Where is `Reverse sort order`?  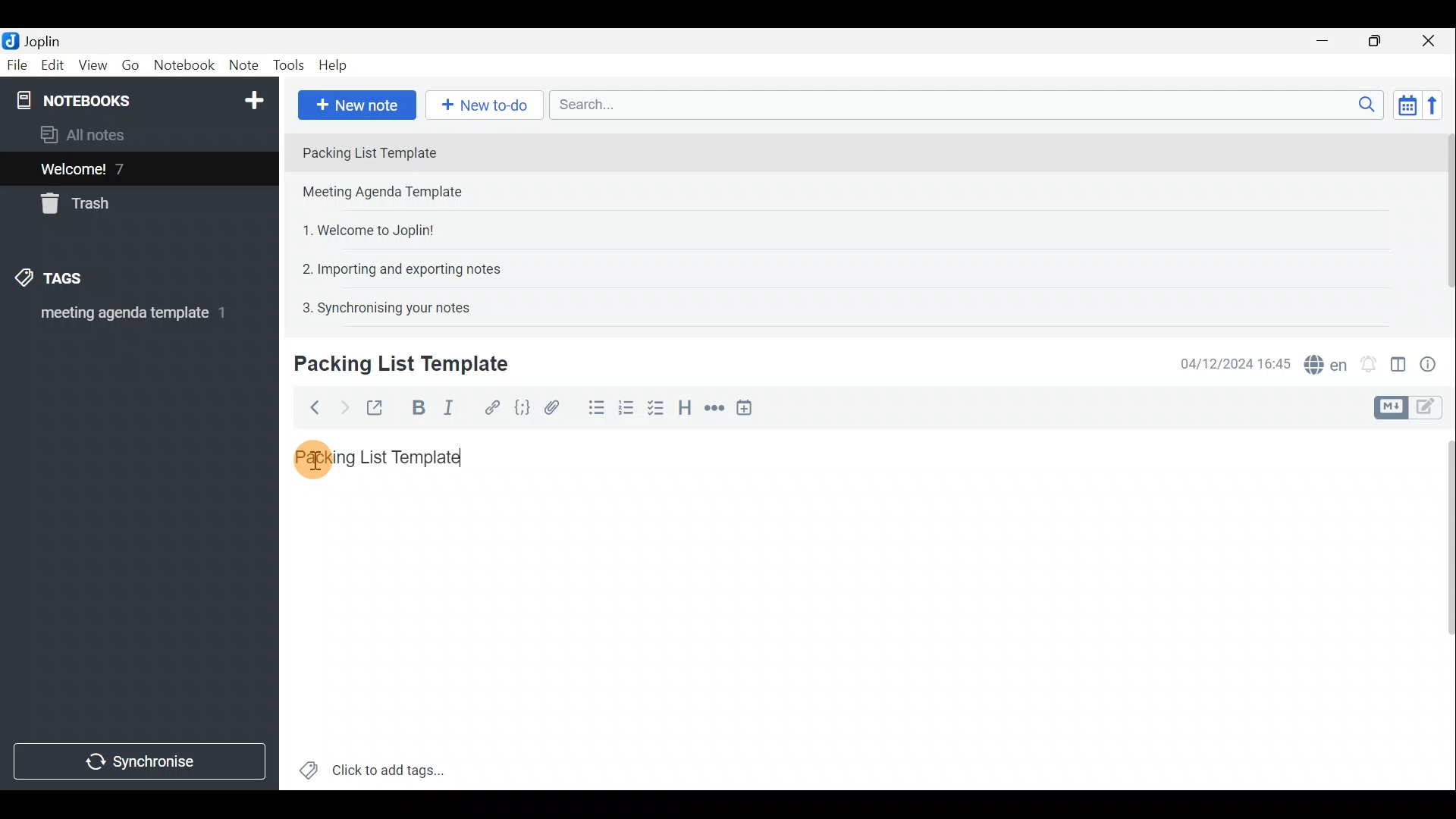 Reverse sort order is located at coordinates (1438, 104).